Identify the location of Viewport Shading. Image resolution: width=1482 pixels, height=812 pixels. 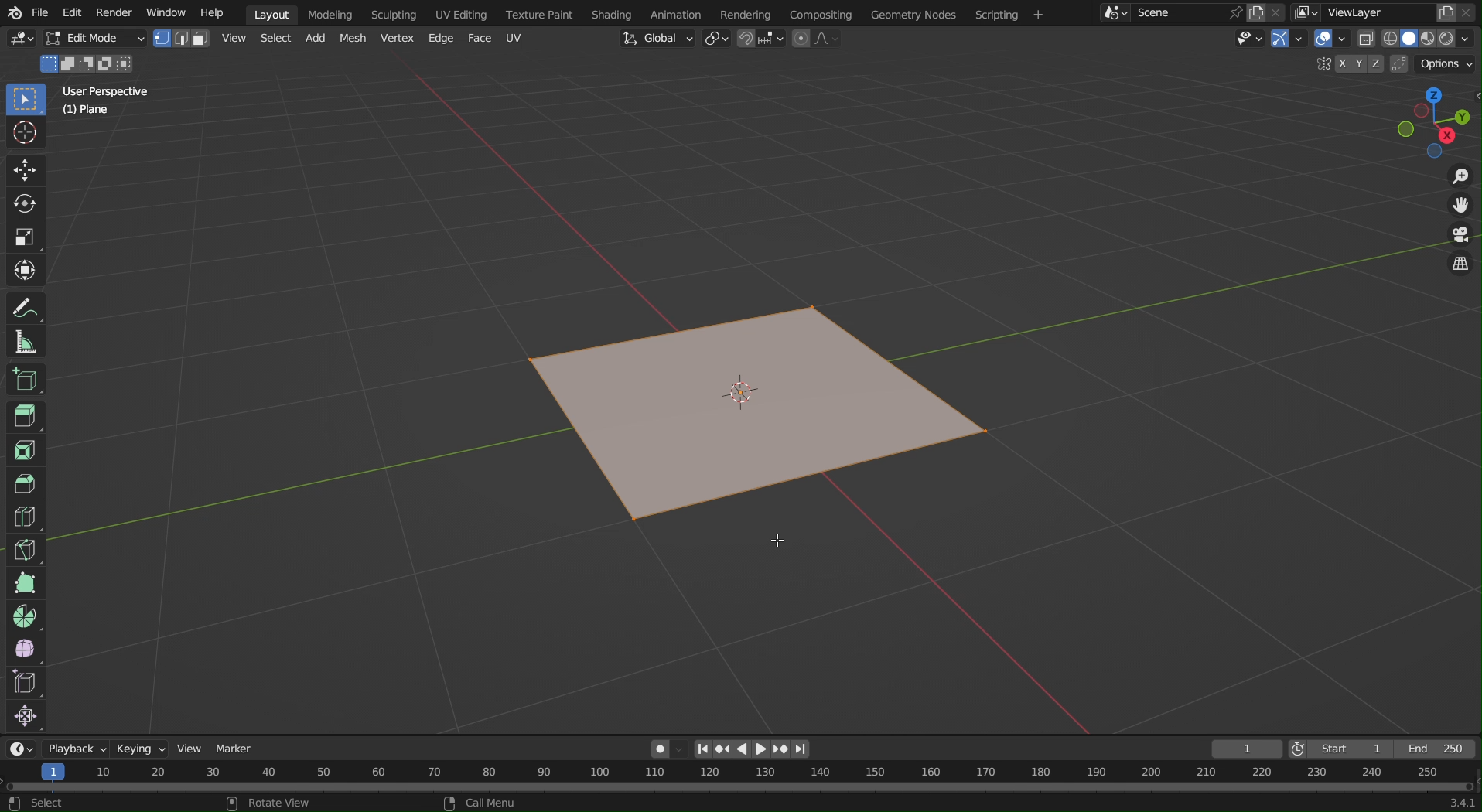
(1420, 39).